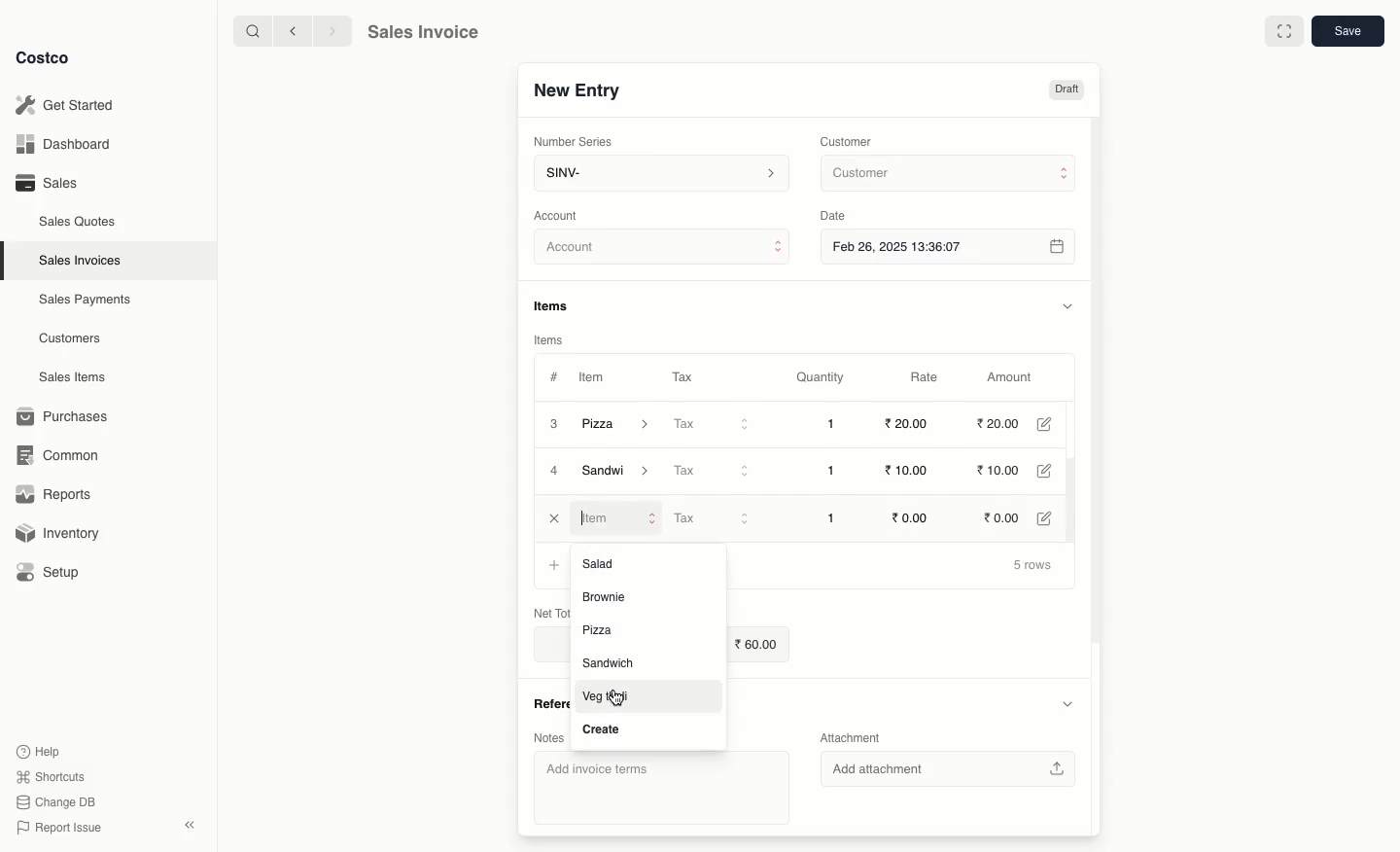 The height and width of the screenshot is (852, 1400). What do you see at coordinates (1015, 377) in the screenshot?
I see `Amount` at bounding box center [1015, 377].